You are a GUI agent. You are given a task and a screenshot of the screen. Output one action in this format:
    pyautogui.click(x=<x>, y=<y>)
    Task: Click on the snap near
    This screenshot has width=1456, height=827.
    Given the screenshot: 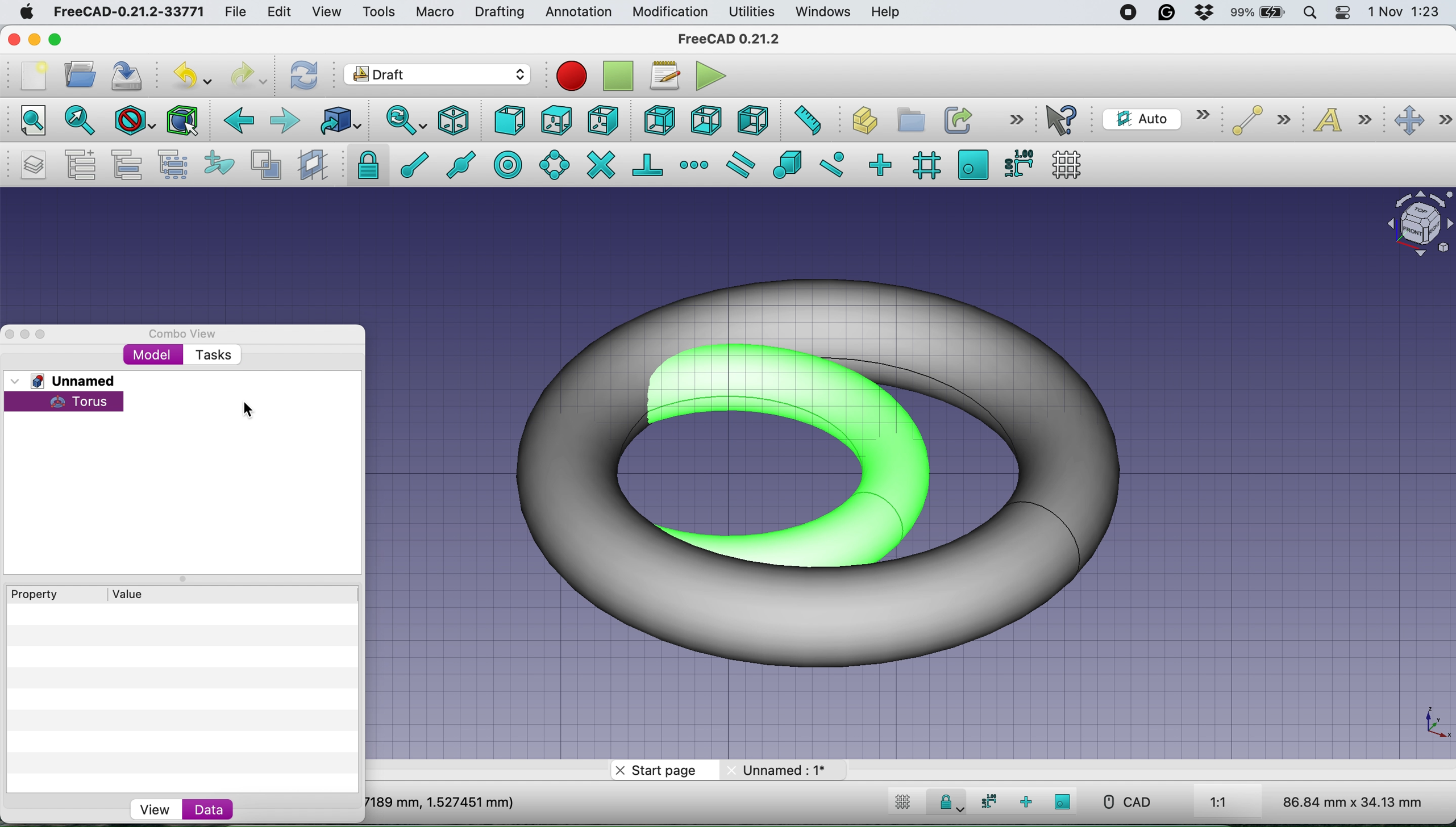 What is the action you would take?
    pyautogui.click(x=833, y=164)
    